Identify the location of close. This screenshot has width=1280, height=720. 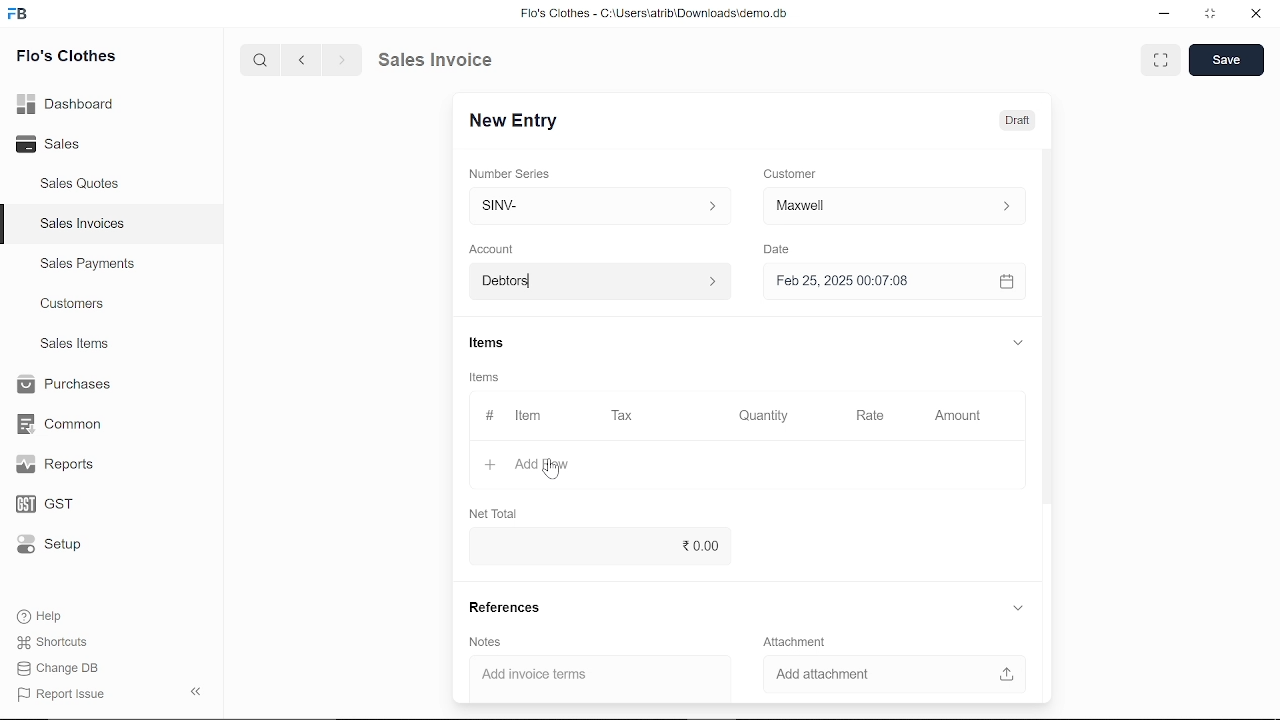
(1254, 14).